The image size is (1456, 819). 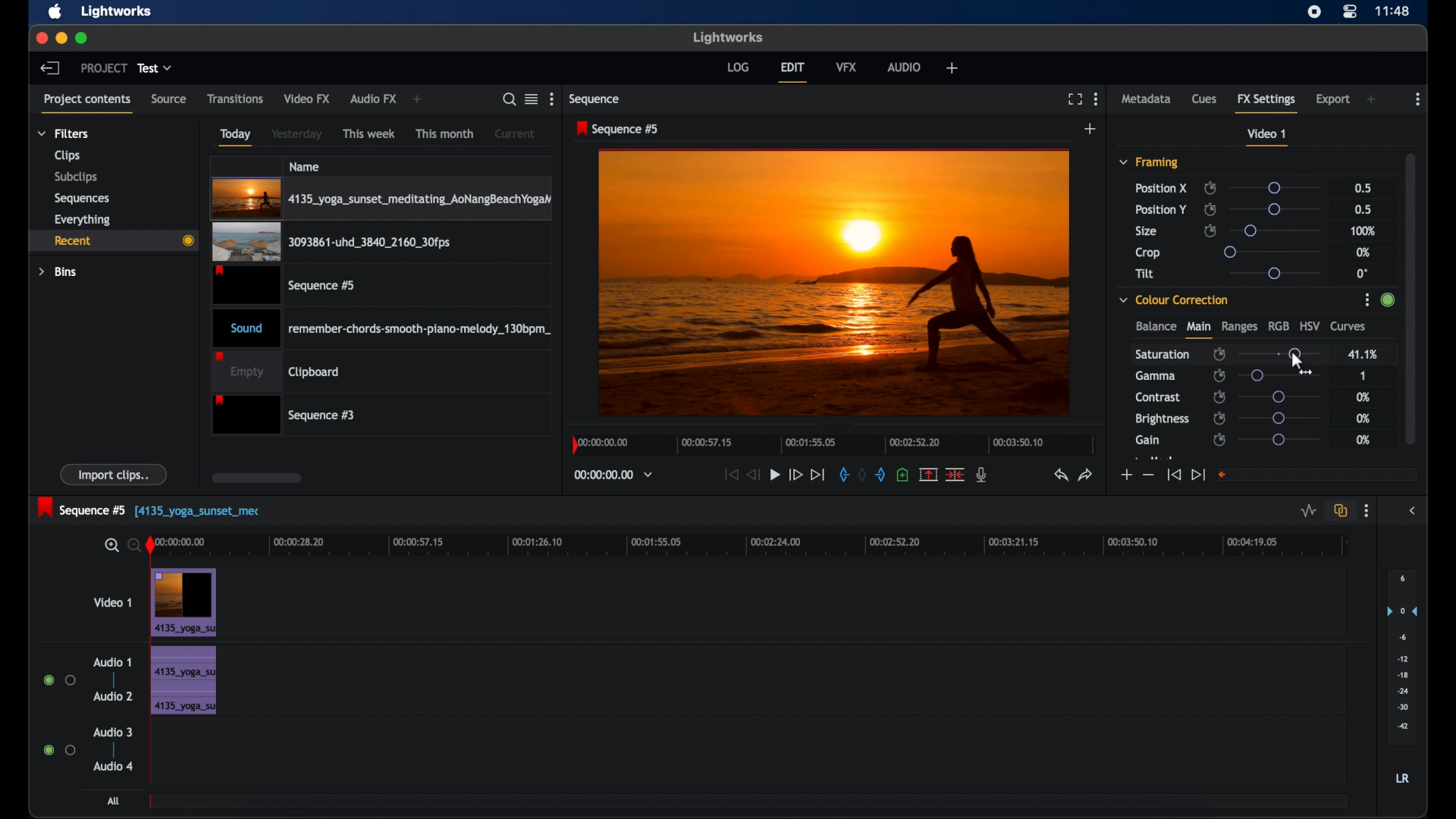 What do you see at coordinates (286, 285) in the screenshot?
I see `video clip` at bounding box center [286, 285].